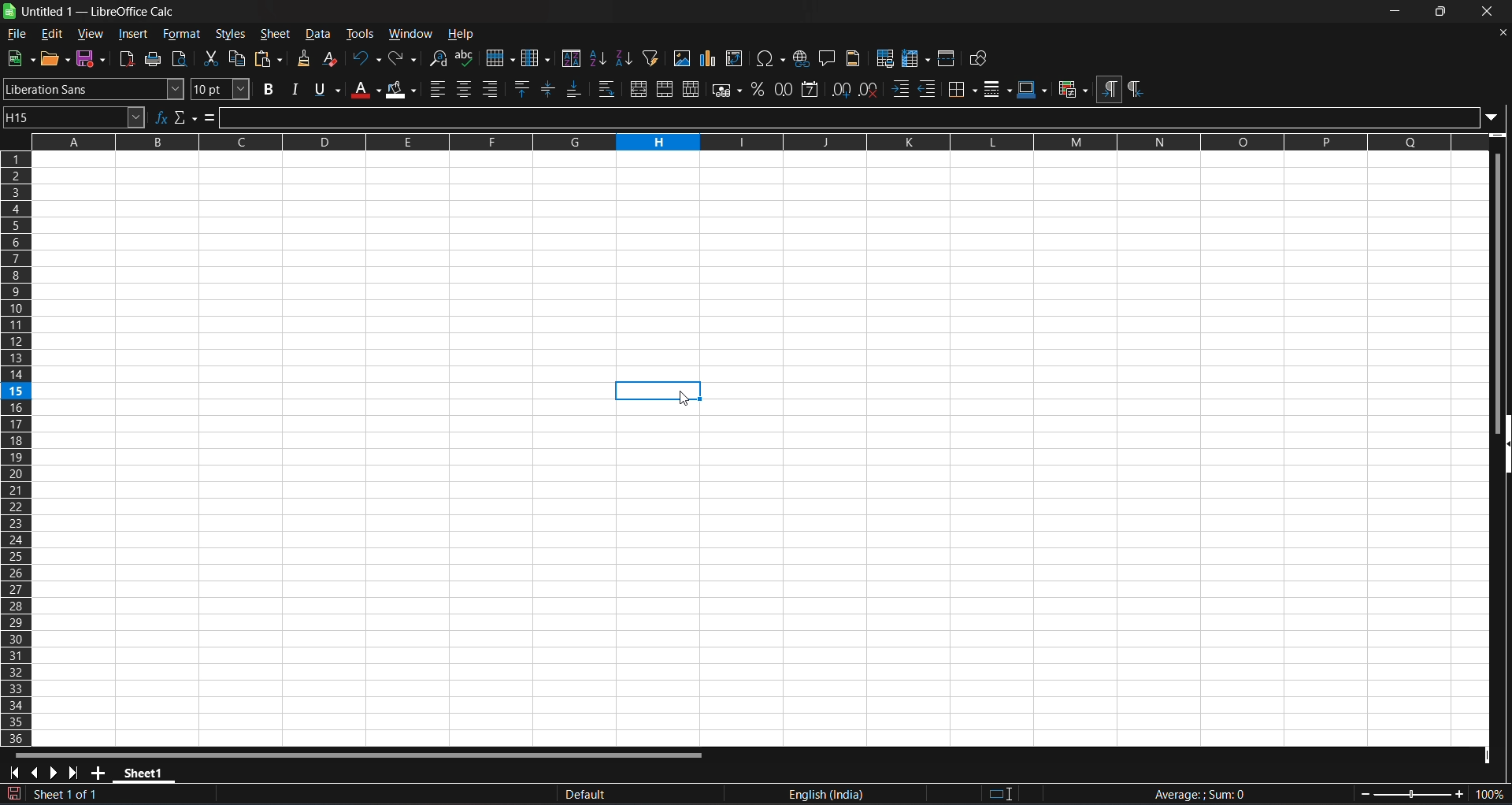 The height and width of the screenshot is (805, 1512). Describe the element at coordinates (438, 90) in the screenshot. I see `align left` at that location.